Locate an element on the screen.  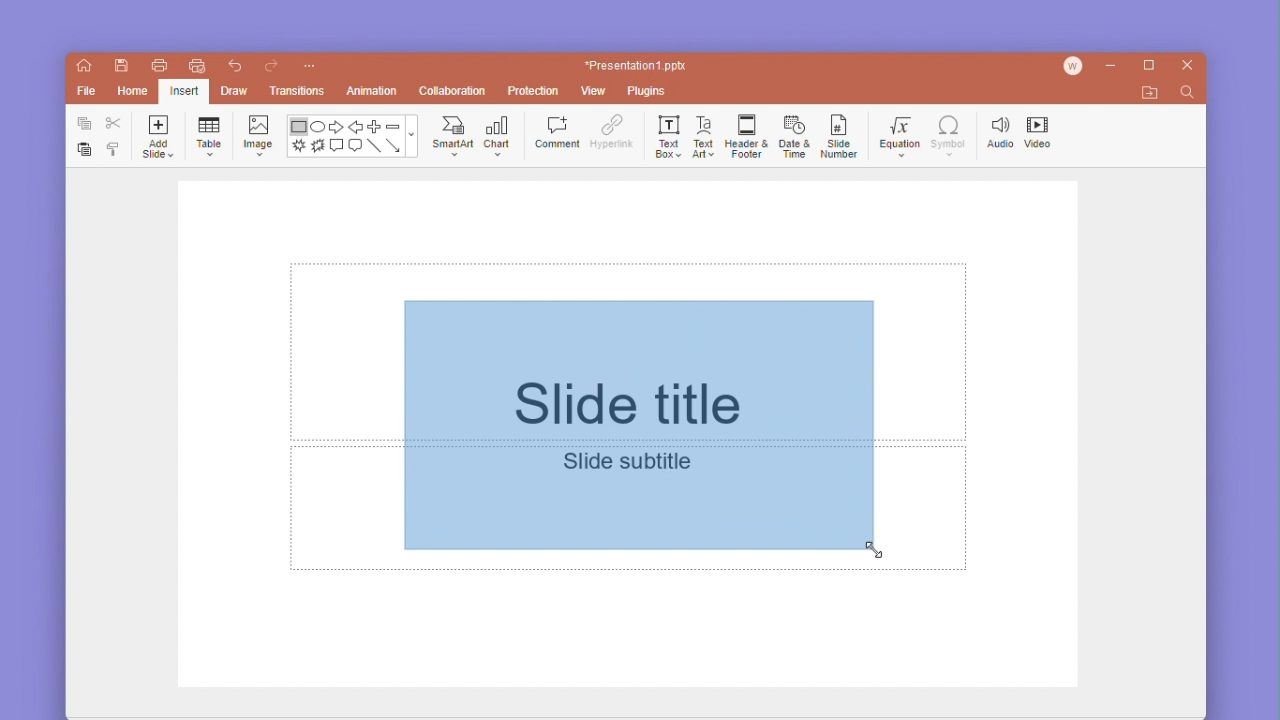
*Presentation1 ppt is located at coordinates (636, 65).